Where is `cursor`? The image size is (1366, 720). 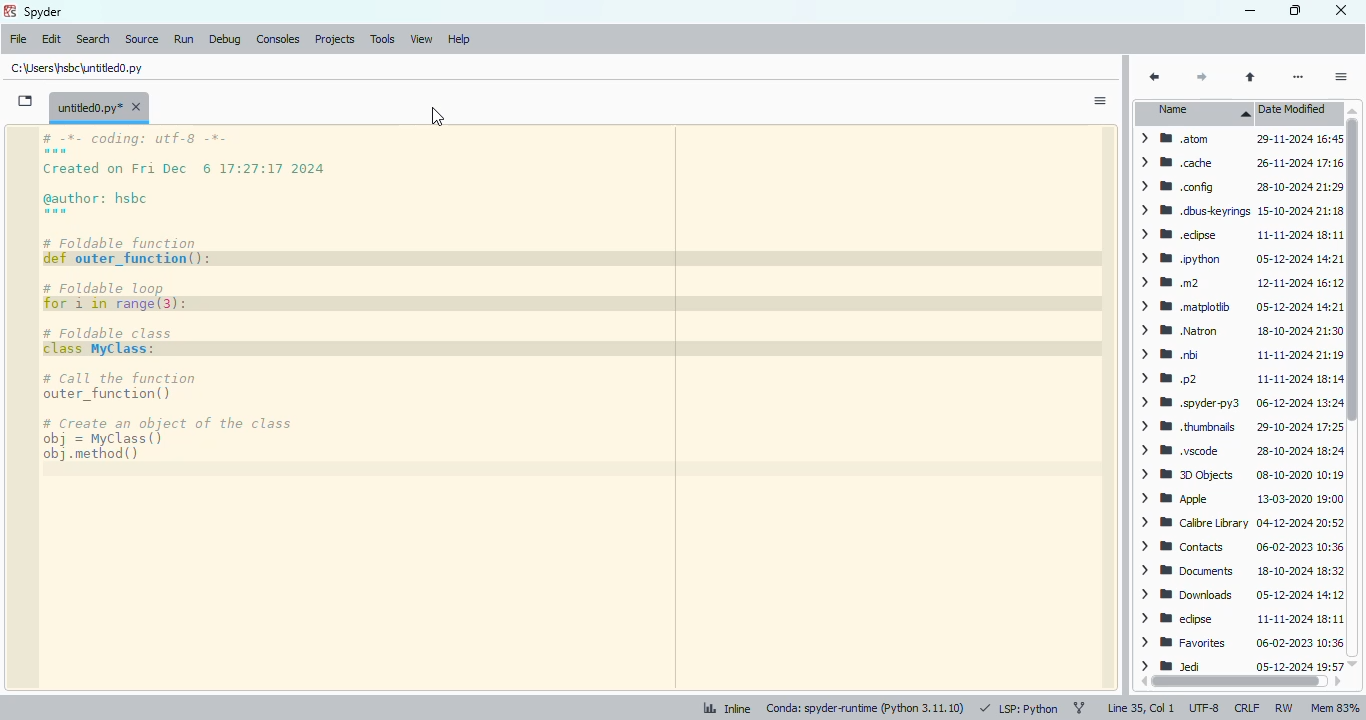 cursor is located at coordinates (439, 116).